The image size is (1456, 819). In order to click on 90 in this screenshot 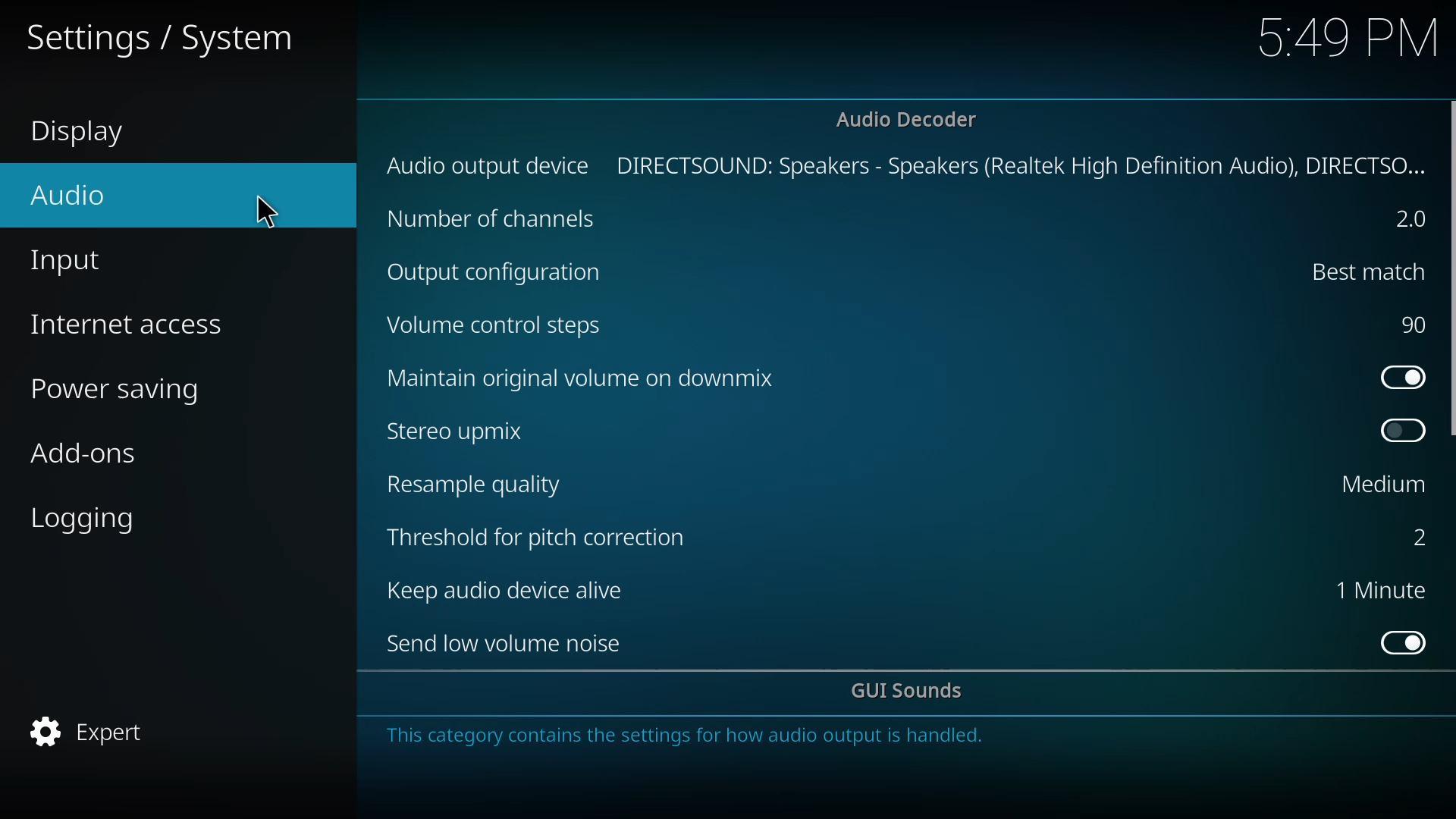, I will do `click(1417, 325)`.